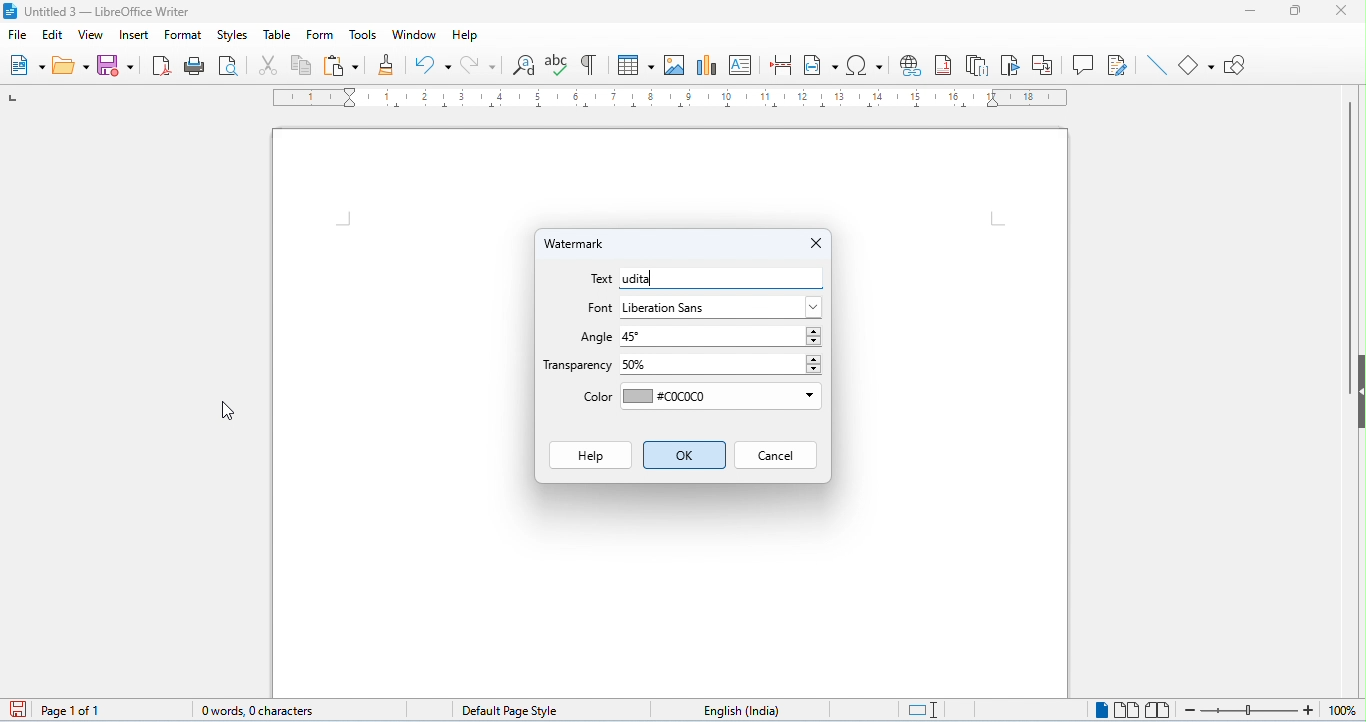 This screenshot has height=722, width=1366. I want to click on cursor, so click(230, 411).